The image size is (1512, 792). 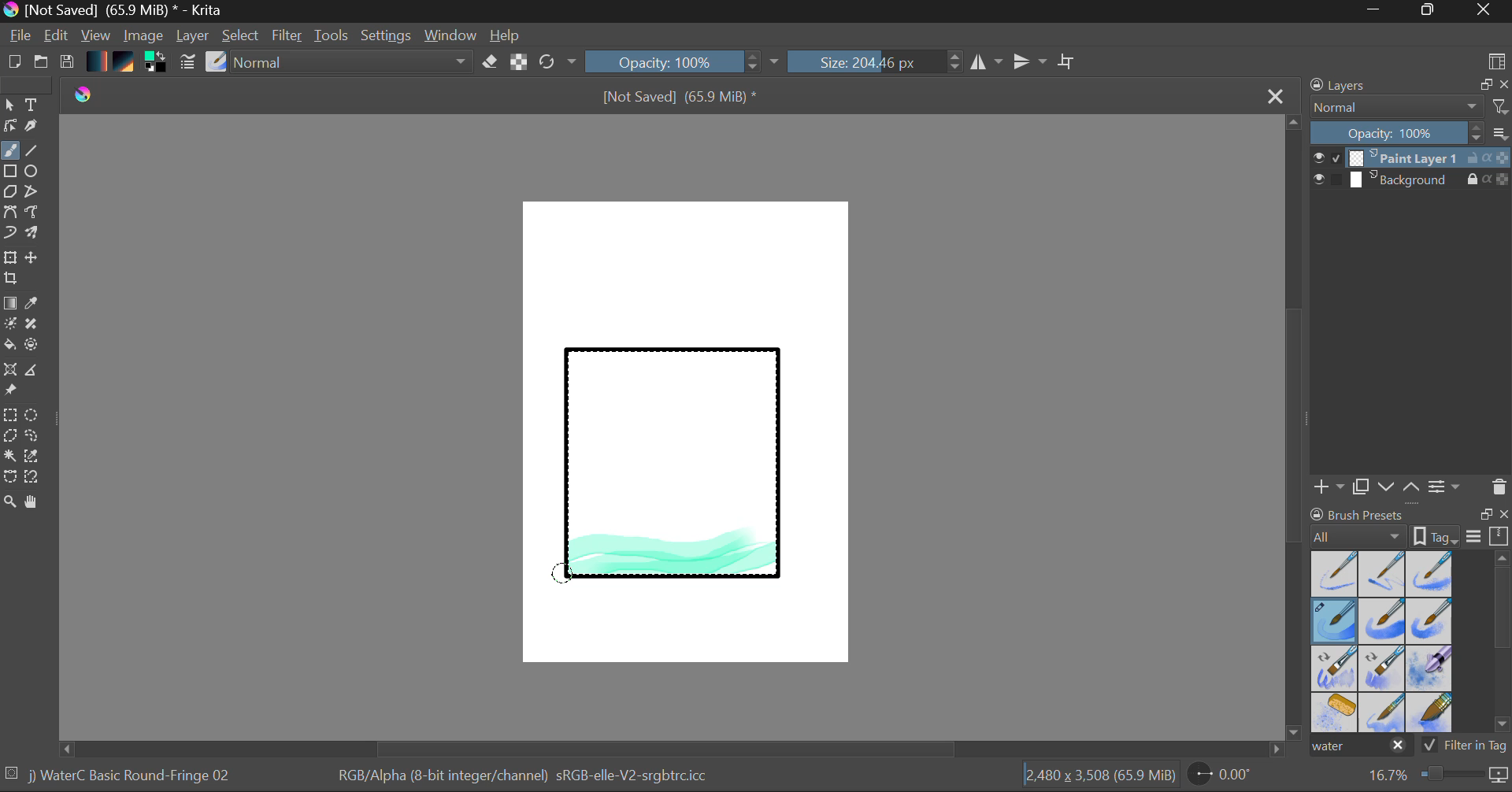 I want to click on Rectangle, so click(x=11, y=172).